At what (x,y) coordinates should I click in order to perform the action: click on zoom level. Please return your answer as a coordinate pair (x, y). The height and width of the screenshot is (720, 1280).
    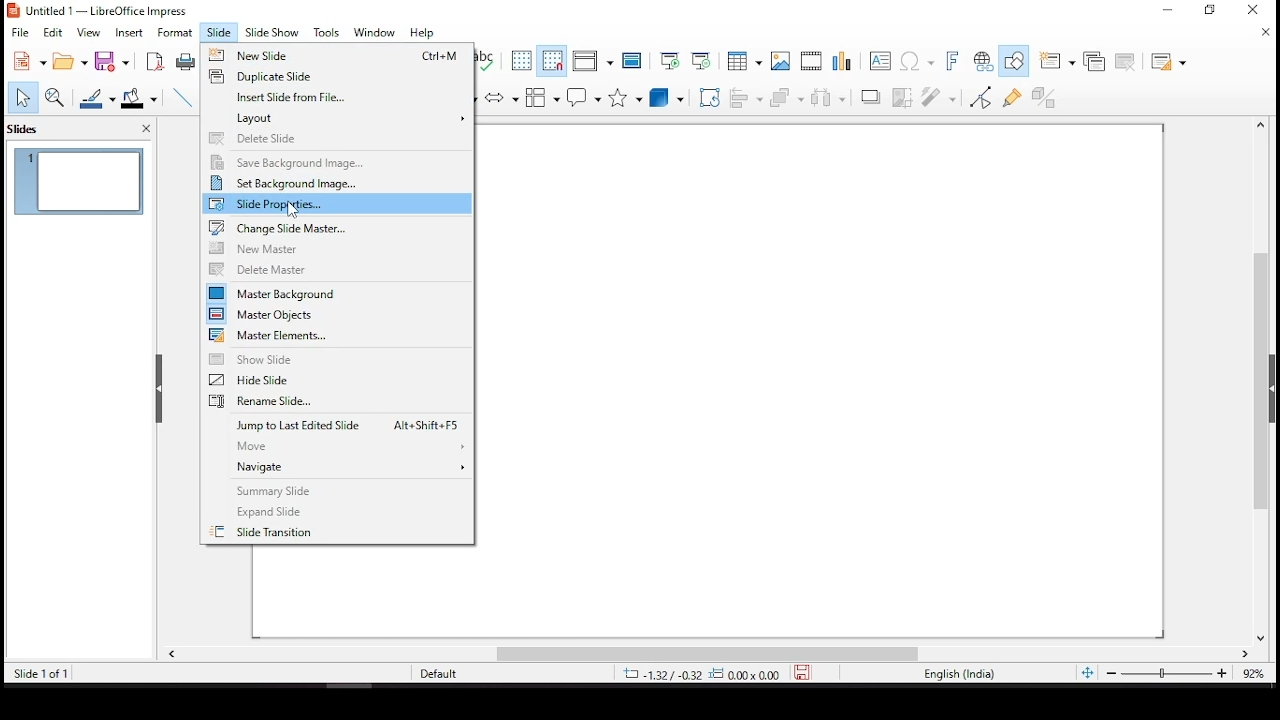
    Looking at the image, I should click on (1247, 673).